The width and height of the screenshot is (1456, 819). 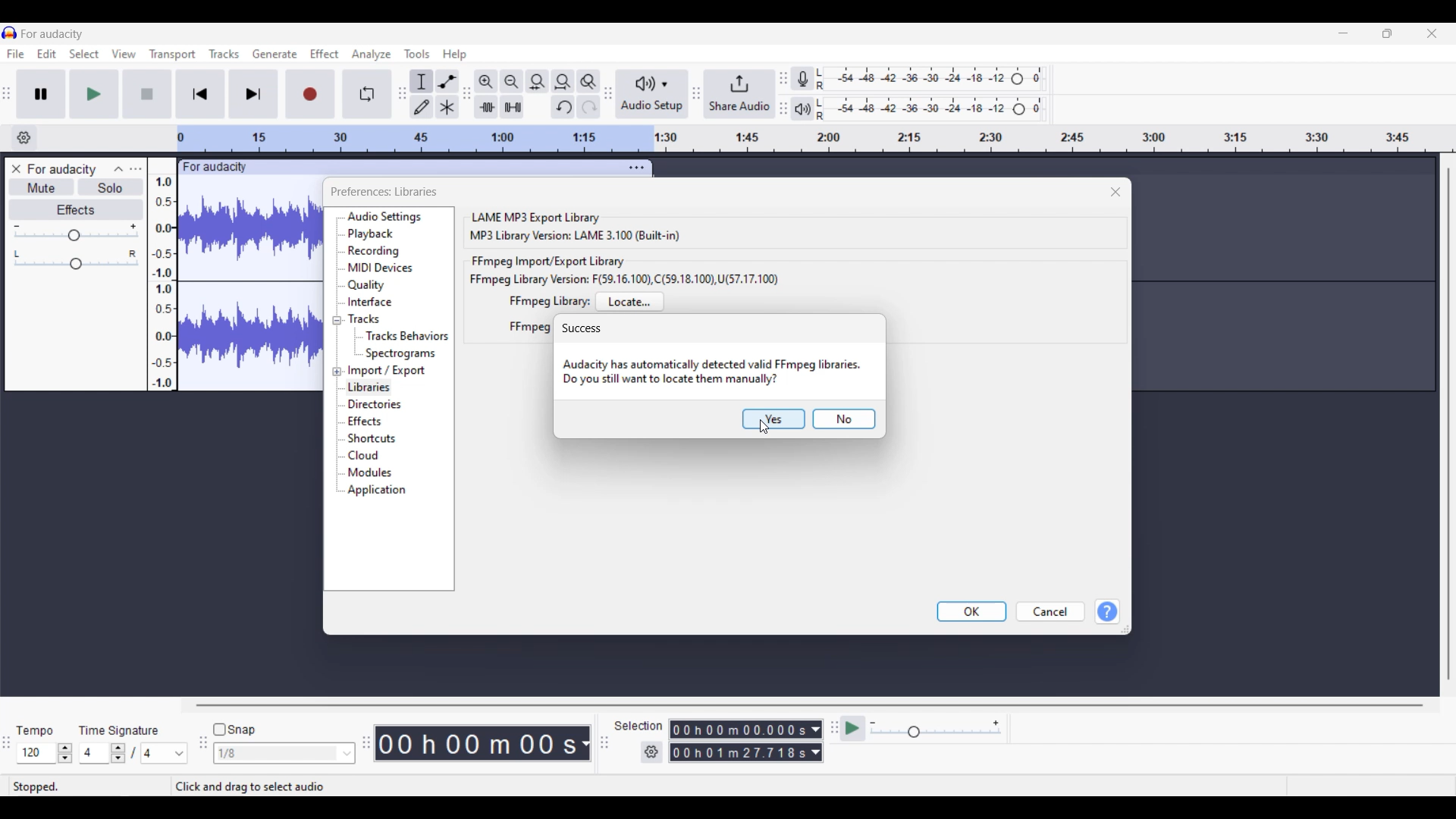 What do you see at coordinates (582, 328) in the screenshot?
I see `success` at bounding box center [582, 328].